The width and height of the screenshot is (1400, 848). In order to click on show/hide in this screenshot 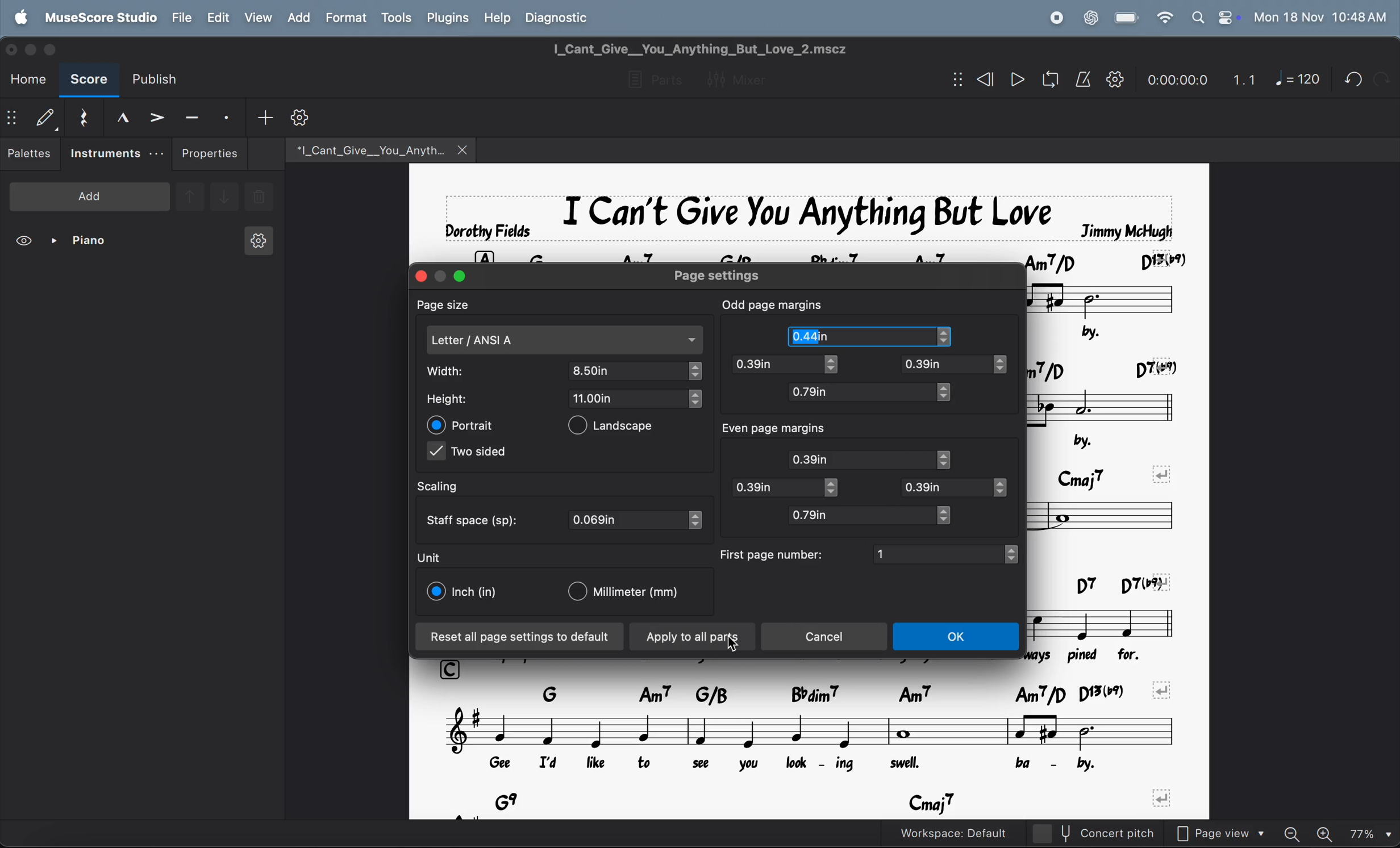, I will do `click(955, 80)`.